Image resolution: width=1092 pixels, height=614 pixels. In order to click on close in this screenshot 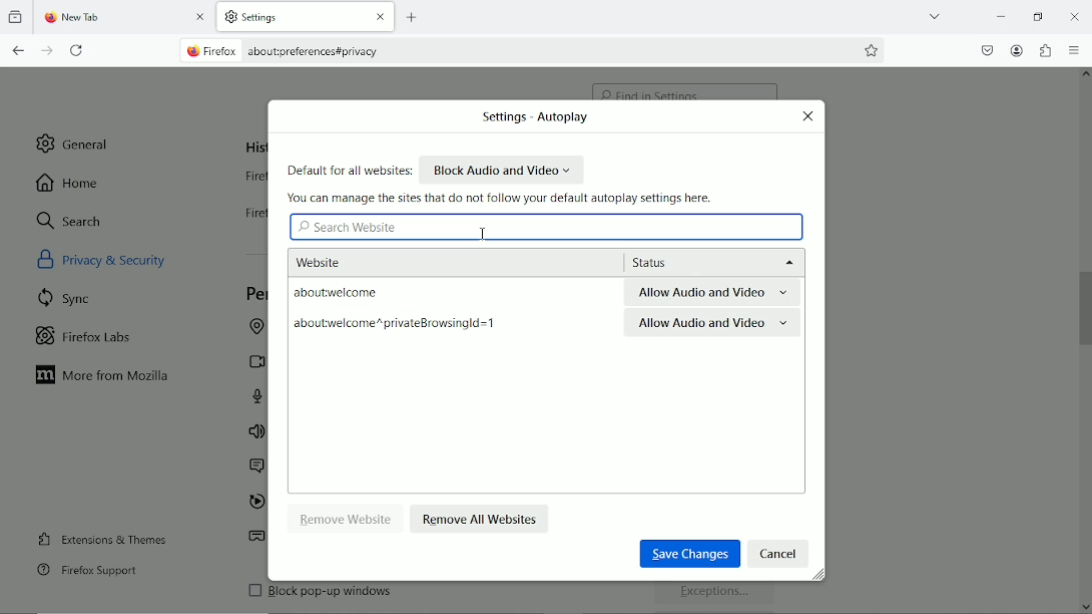, I will do `click(202, 19)`.